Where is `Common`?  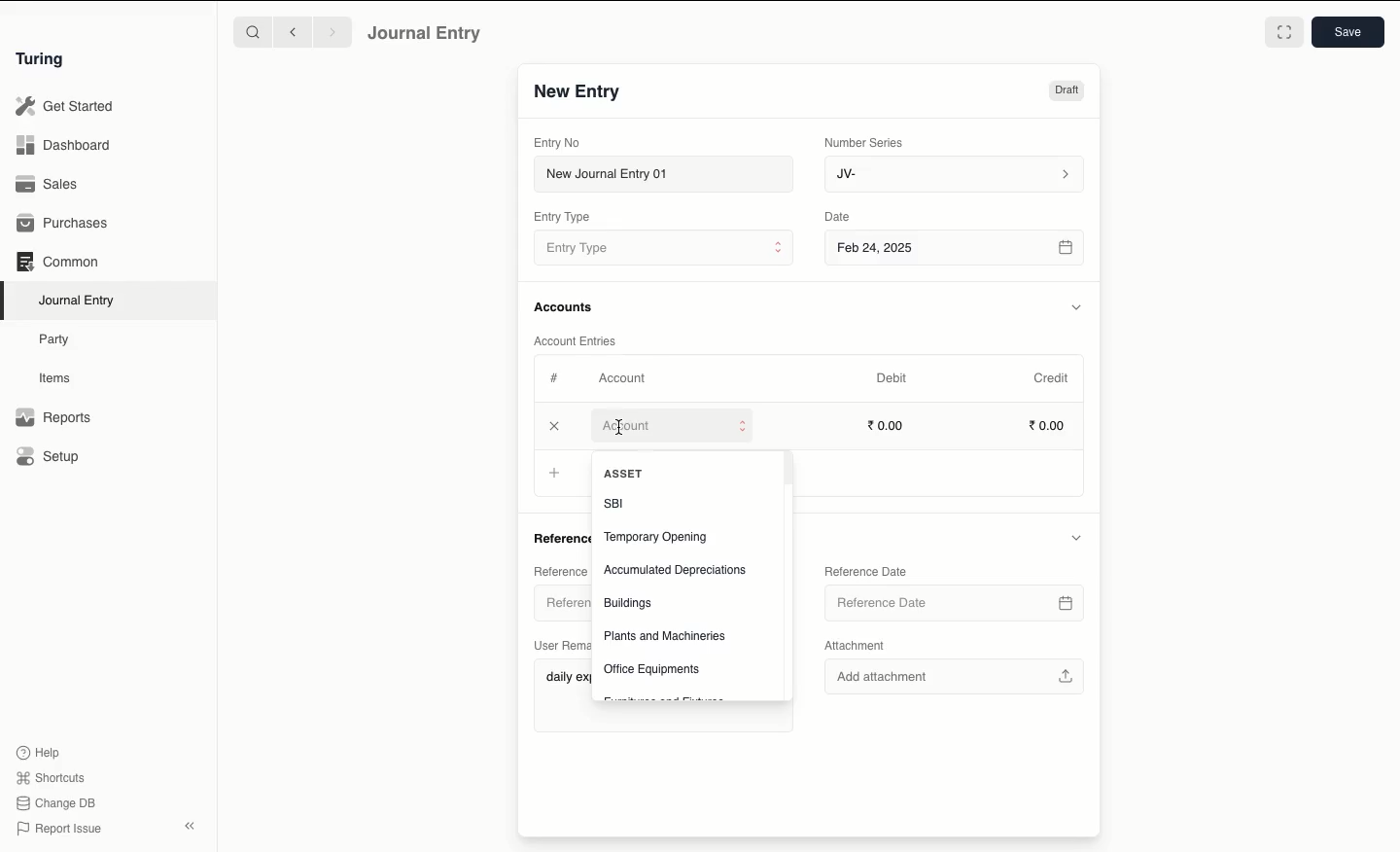 Common is located at coordinates (59, 262).